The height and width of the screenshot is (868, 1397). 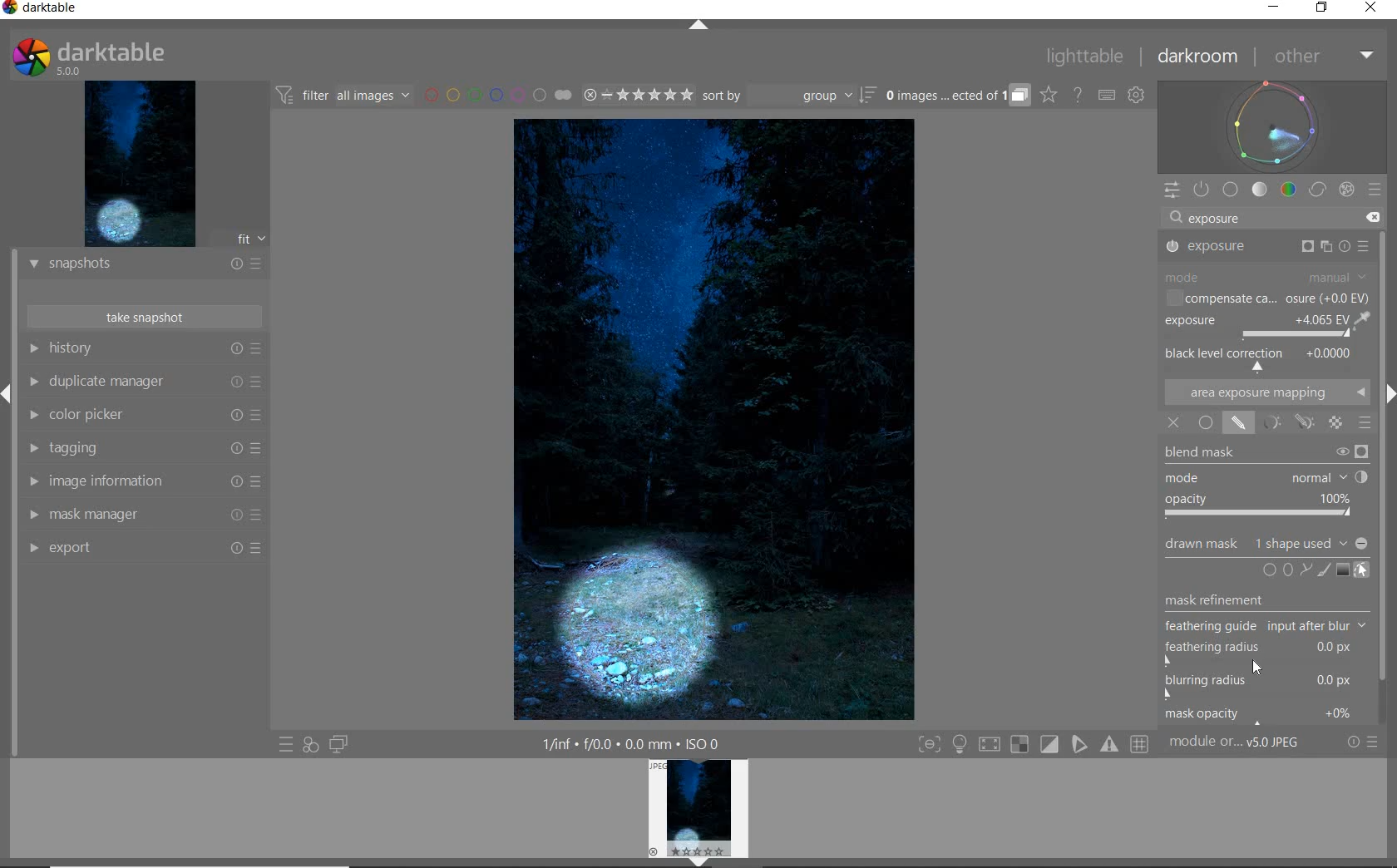 What do you see at coordinates (1084, 57) in the screenshot?
I see `LIGHTTABLE` at bounding box center [1084, 57].